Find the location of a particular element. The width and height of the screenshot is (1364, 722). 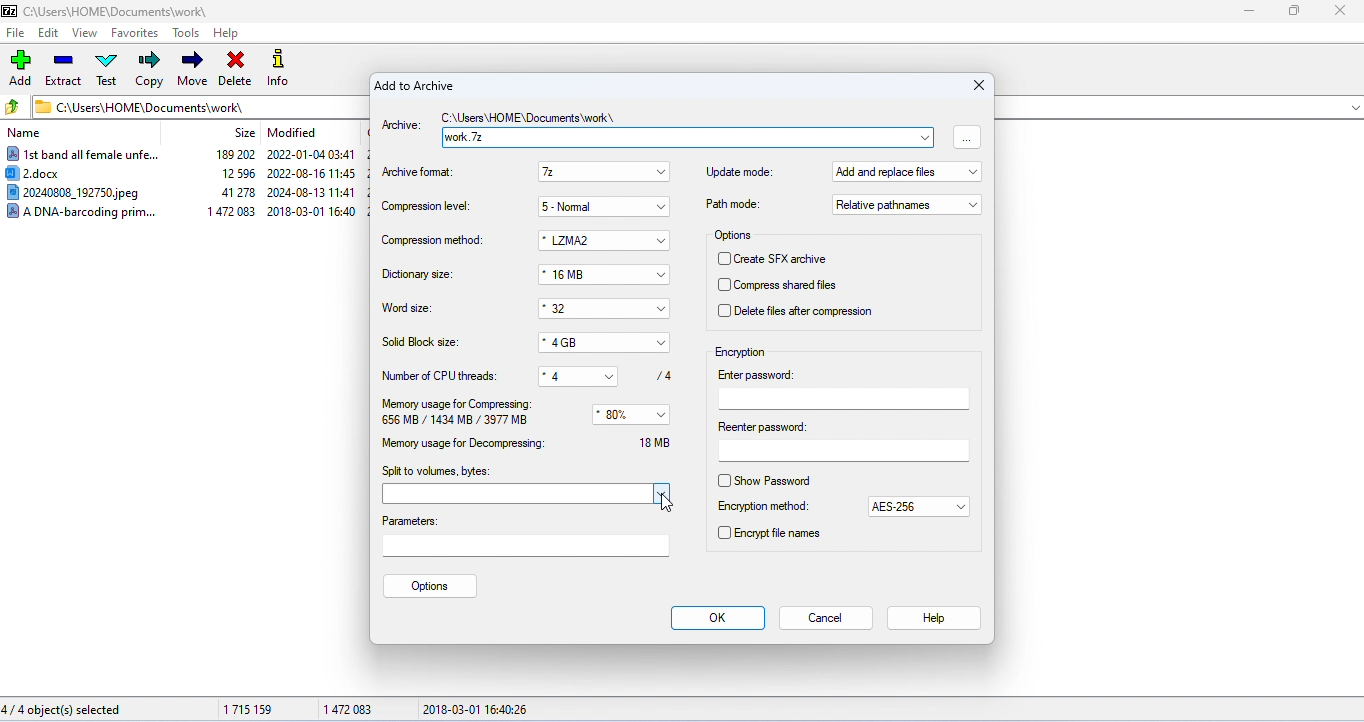

compress shared file is located at coordinates (794, 286).